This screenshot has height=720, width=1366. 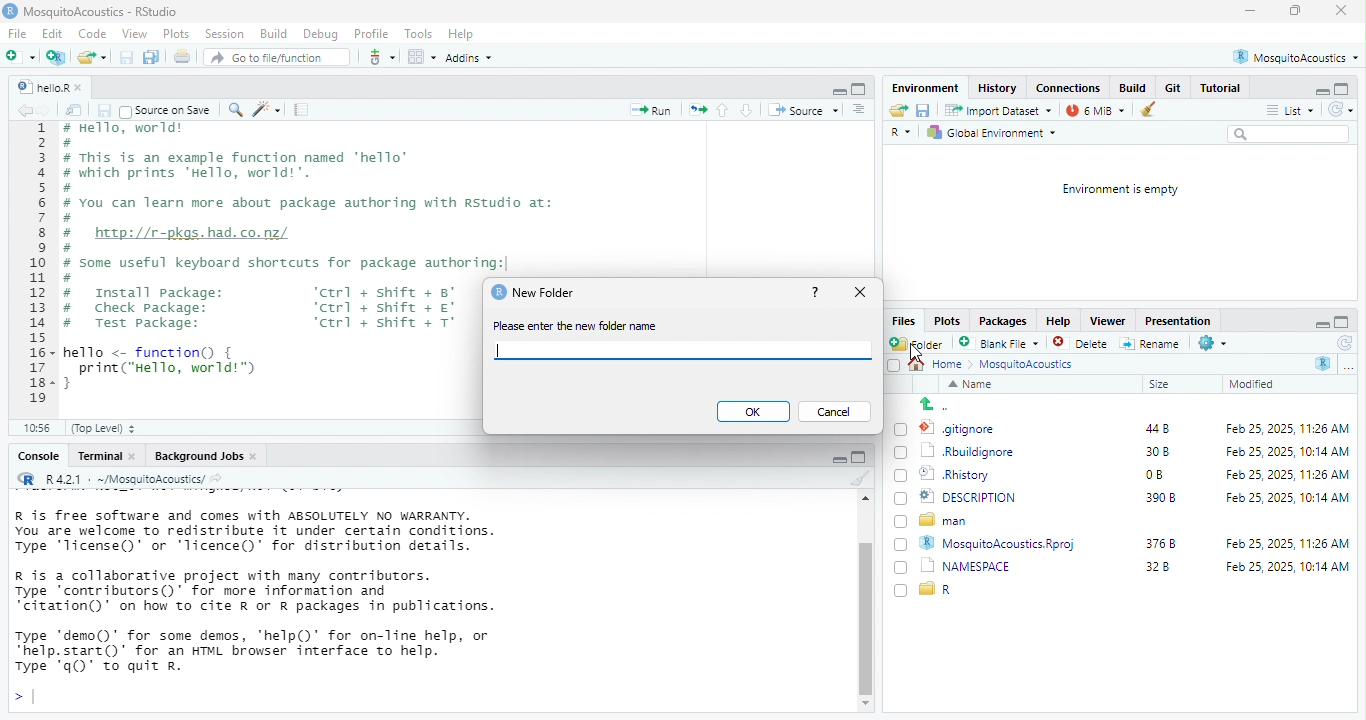 I want to click on create a project, so click(x=57, y=57).